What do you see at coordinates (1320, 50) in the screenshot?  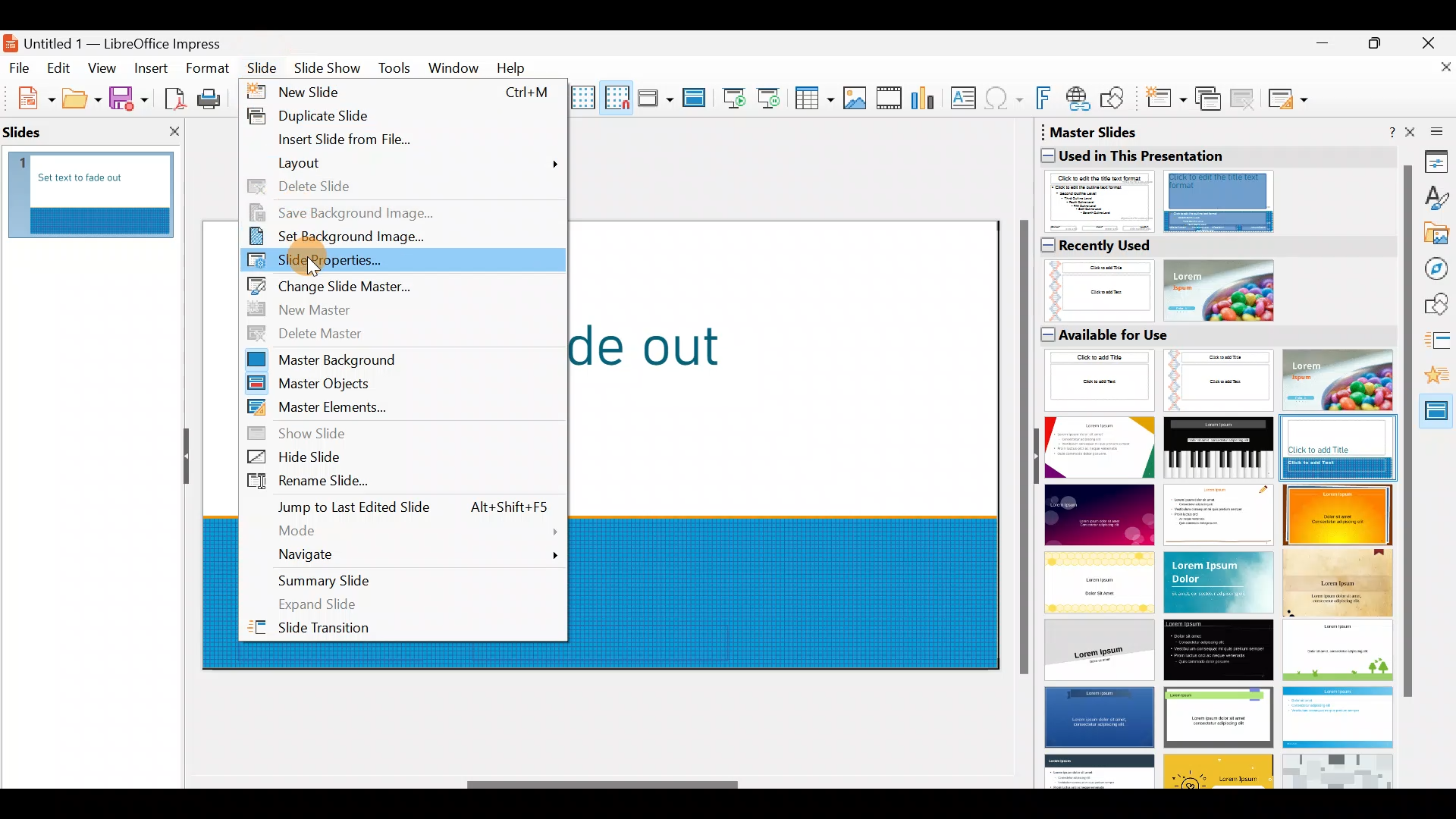 I see `Minimise` at bounding box center [1320, 50].